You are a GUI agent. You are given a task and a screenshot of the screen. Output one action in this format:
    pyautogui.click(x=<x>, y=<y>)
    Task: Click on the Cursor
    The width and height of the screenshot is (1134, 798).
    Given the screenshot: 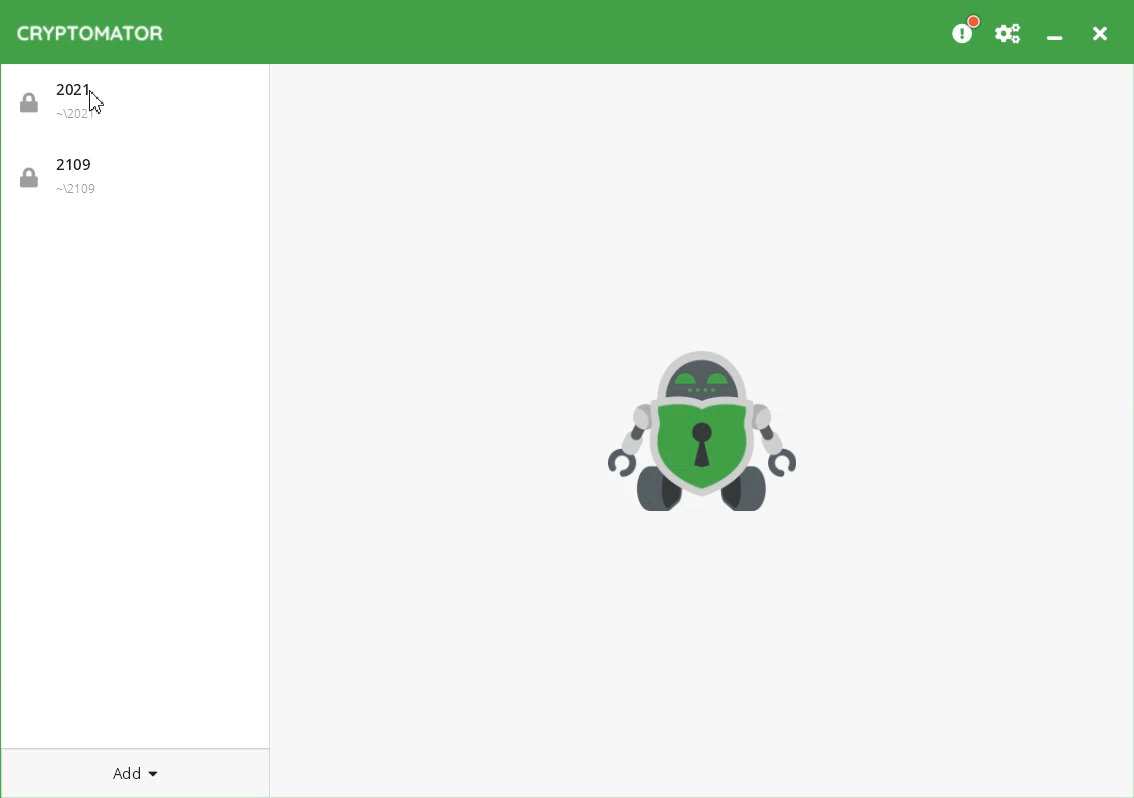 What is the action you would take?
    pyautogui.click(x=93, y=103)
    